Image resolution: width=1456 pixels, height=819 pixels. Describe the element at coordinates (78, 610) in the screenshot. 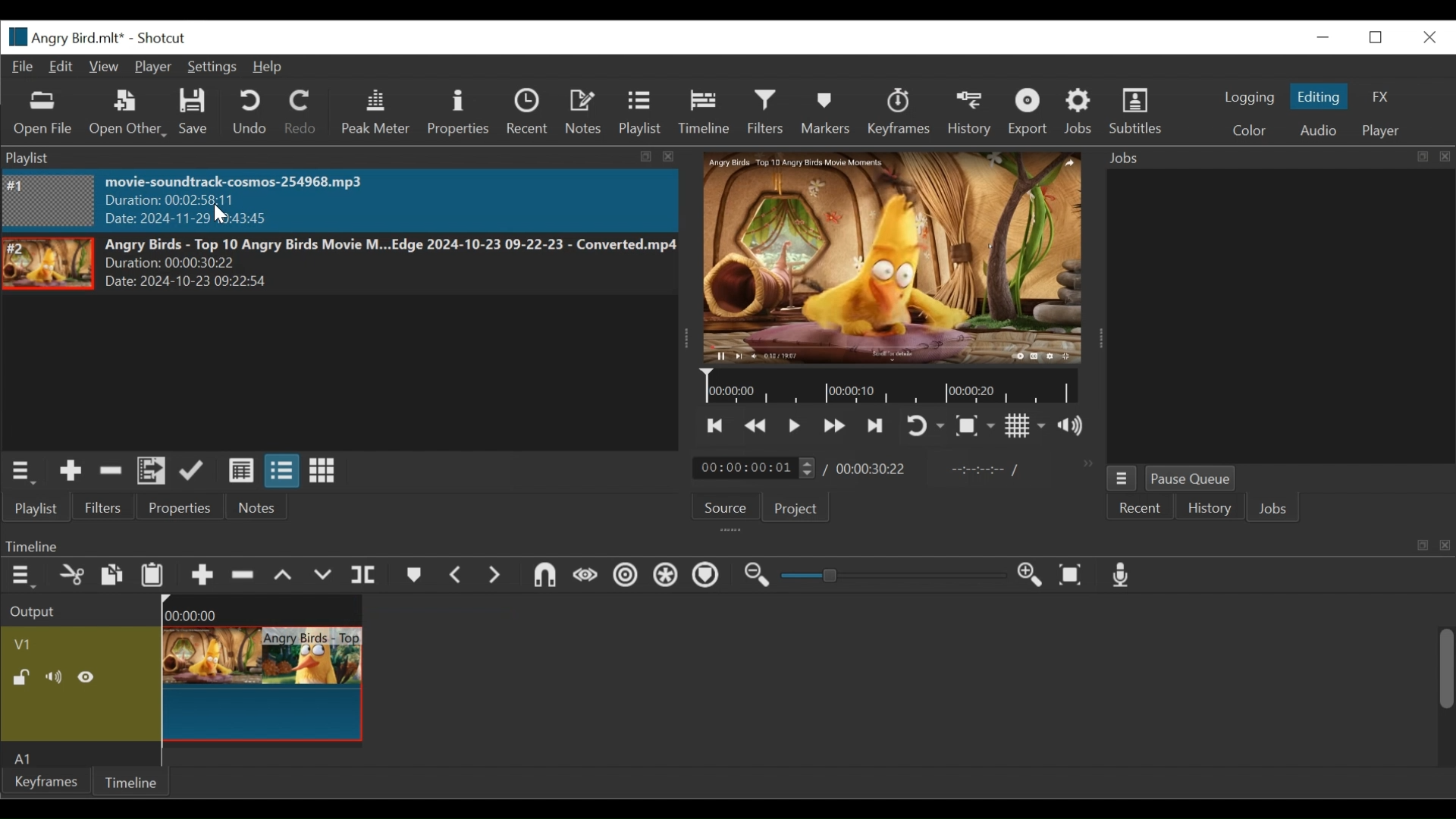

I see `Output` at that location.